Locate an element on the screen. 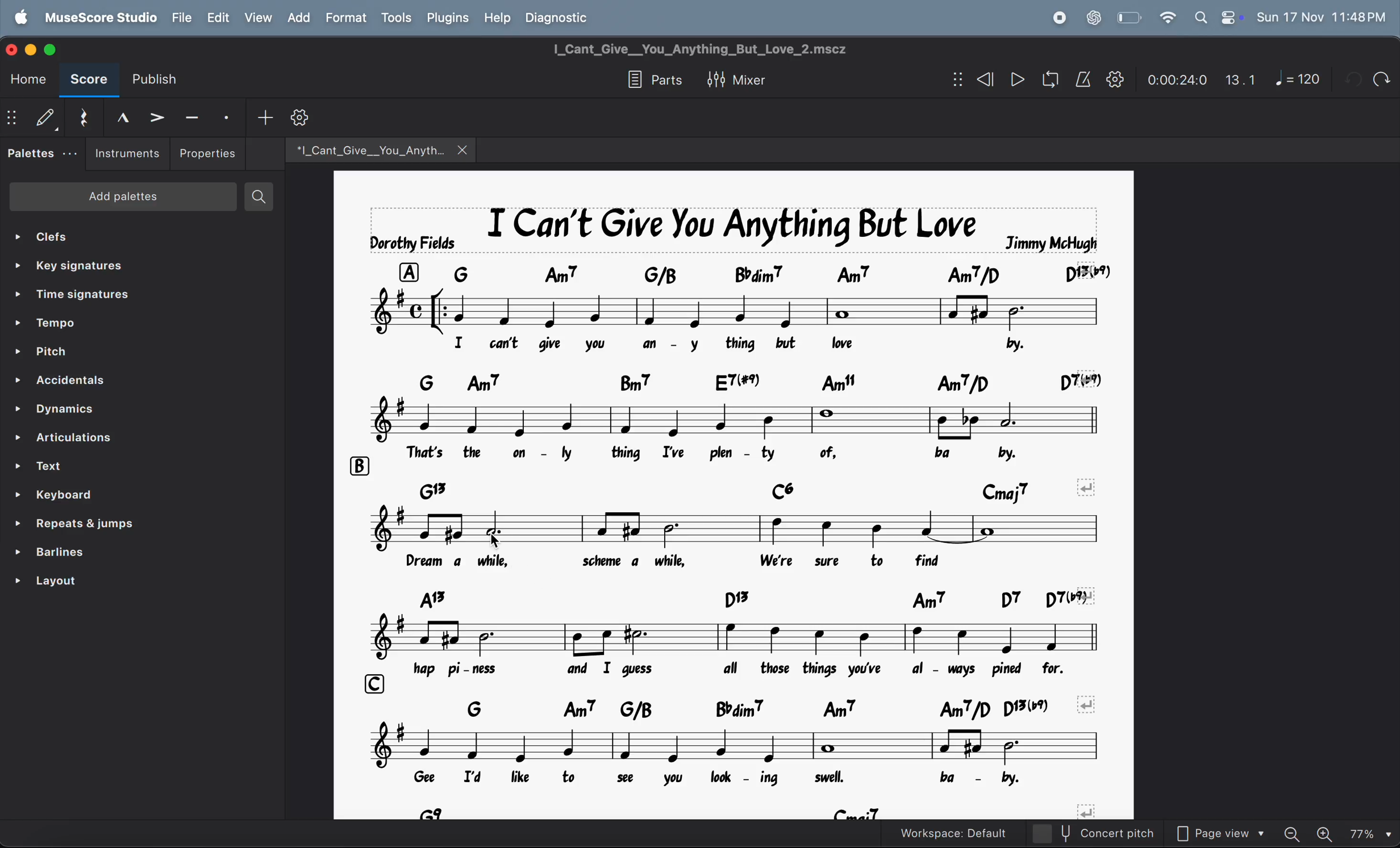 The width and height of the screenshot is (1400, 848). repeats and jump is located at coordinates (111, 526).